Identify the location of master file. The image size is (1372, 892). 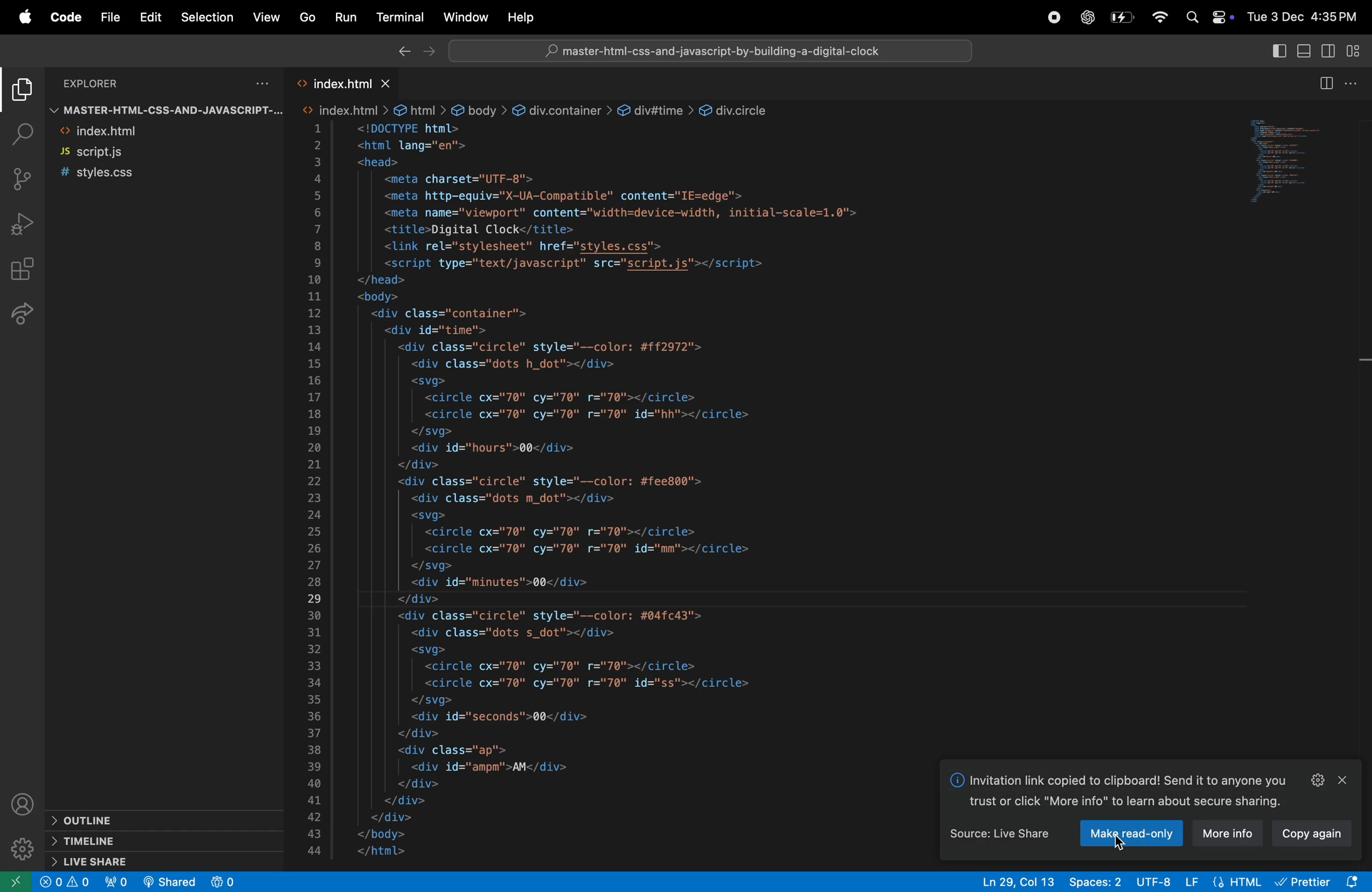
(159, 109).